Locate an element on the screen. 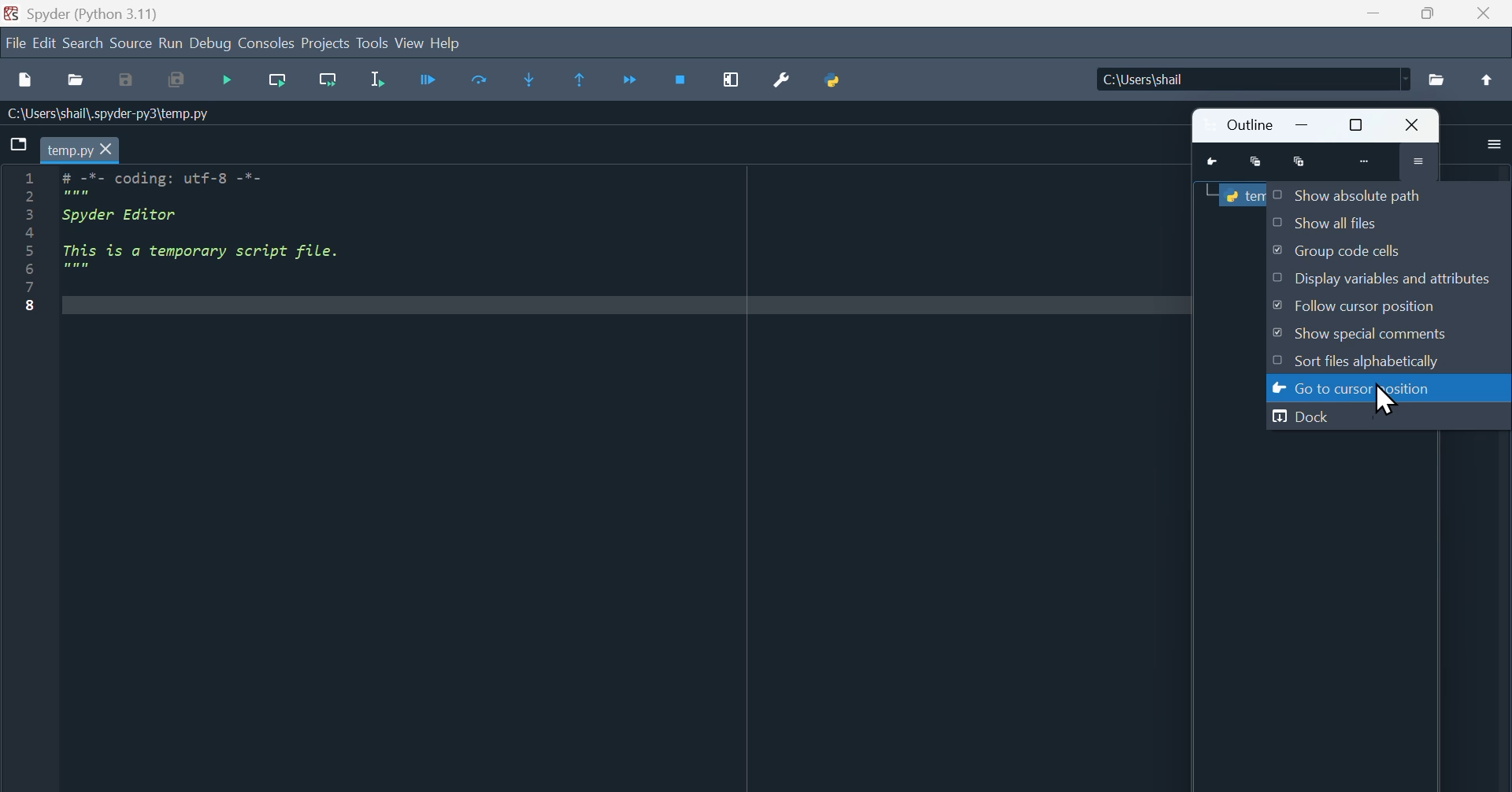 This screenshot has height=792, width=1512. Line Number is located at coordinates (31, 242).